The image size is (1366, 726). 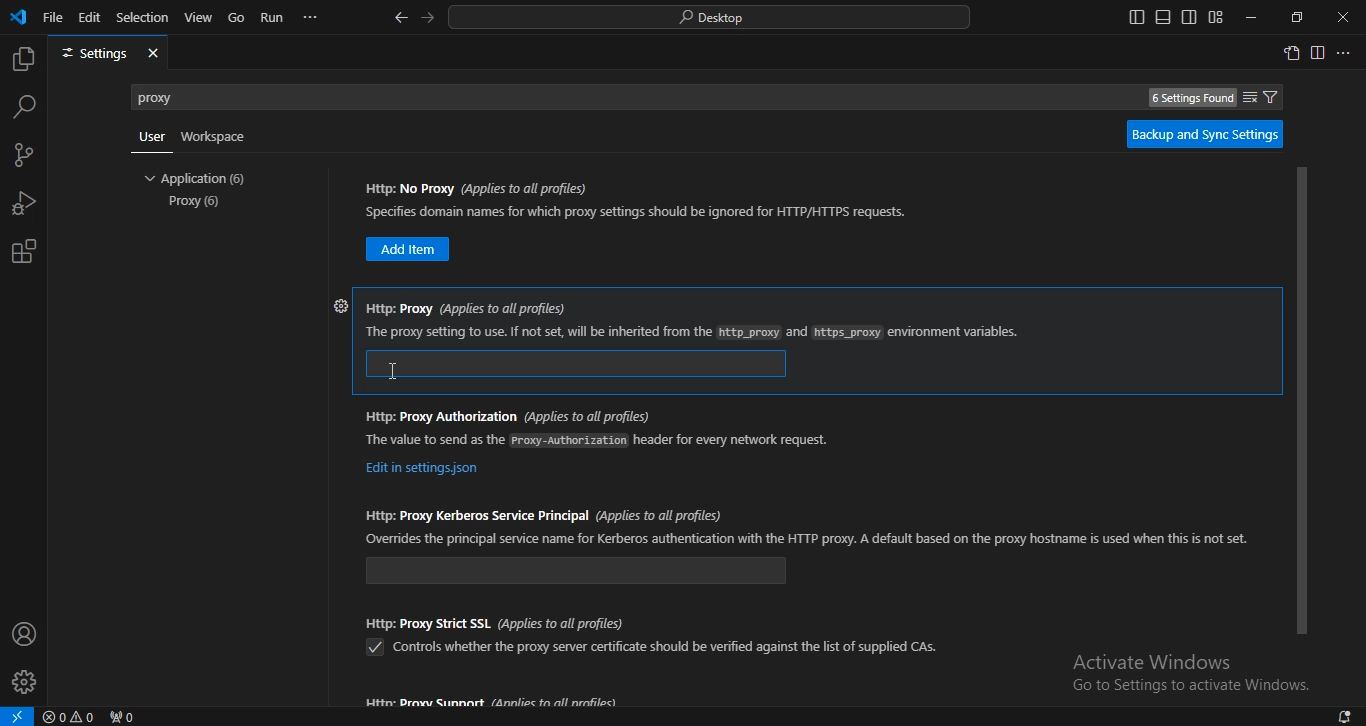 What do you see at coordinates (170, 96) in the screenshot?
I see `proxy` at bounding box center [170, 96].